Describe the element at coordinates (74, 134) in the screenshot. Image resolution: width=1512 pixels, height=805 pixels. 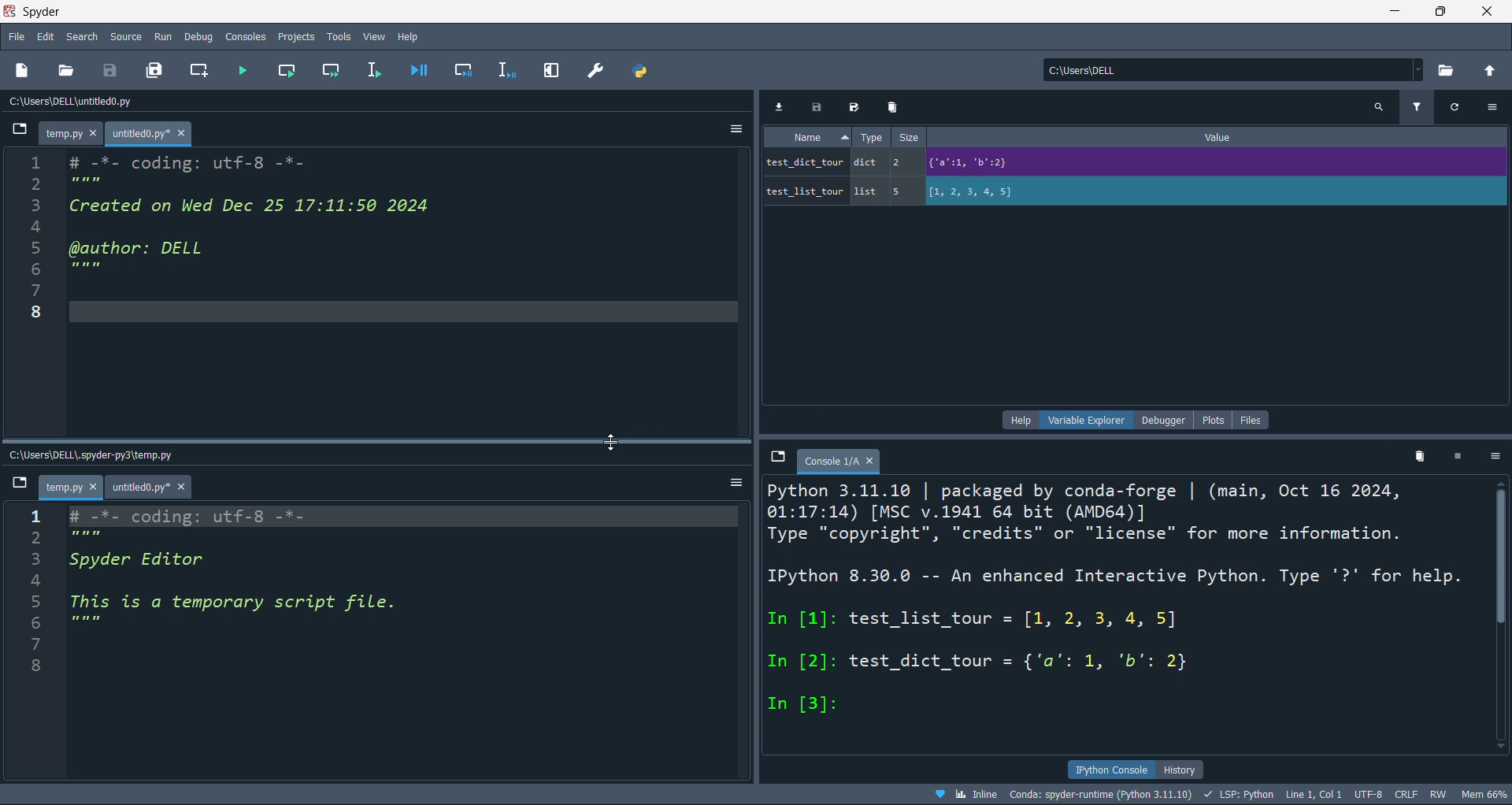
I see `temp.py` at that location.